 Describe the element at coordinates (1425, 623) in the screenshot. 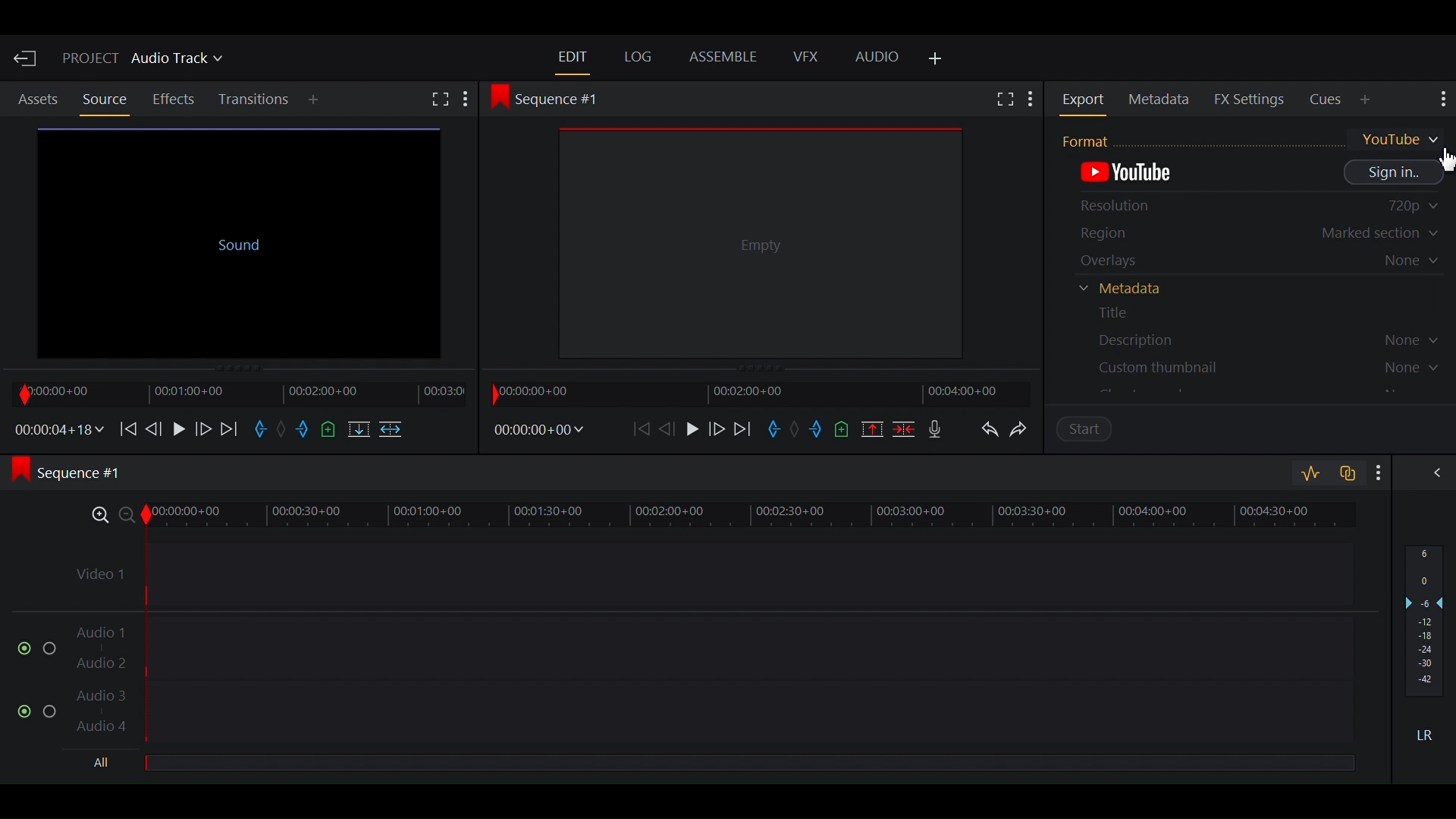

I see `Audio output levels dB` at that location.